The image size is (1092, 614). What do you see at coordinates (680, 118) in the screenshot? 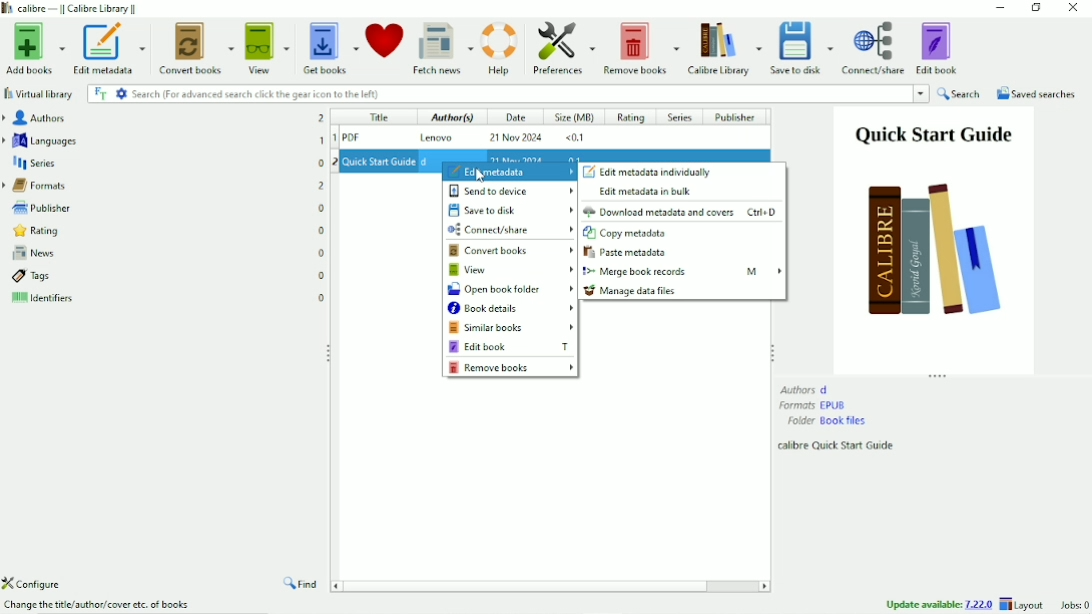
I see `Series` at bounding box center [680, 118].